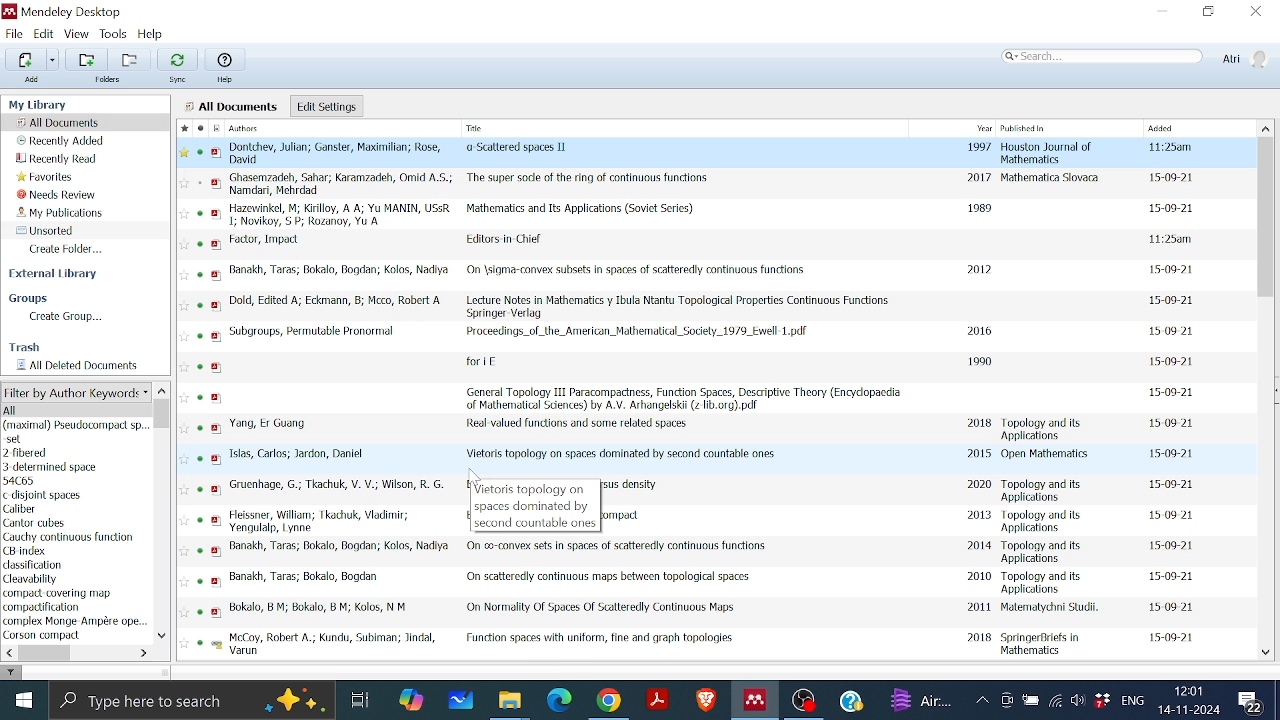 The width and height of the screenshot is (1280, 720). Describe the element at coordinates (186, 521) in the screenshot. I see `FAvourite` at that location.